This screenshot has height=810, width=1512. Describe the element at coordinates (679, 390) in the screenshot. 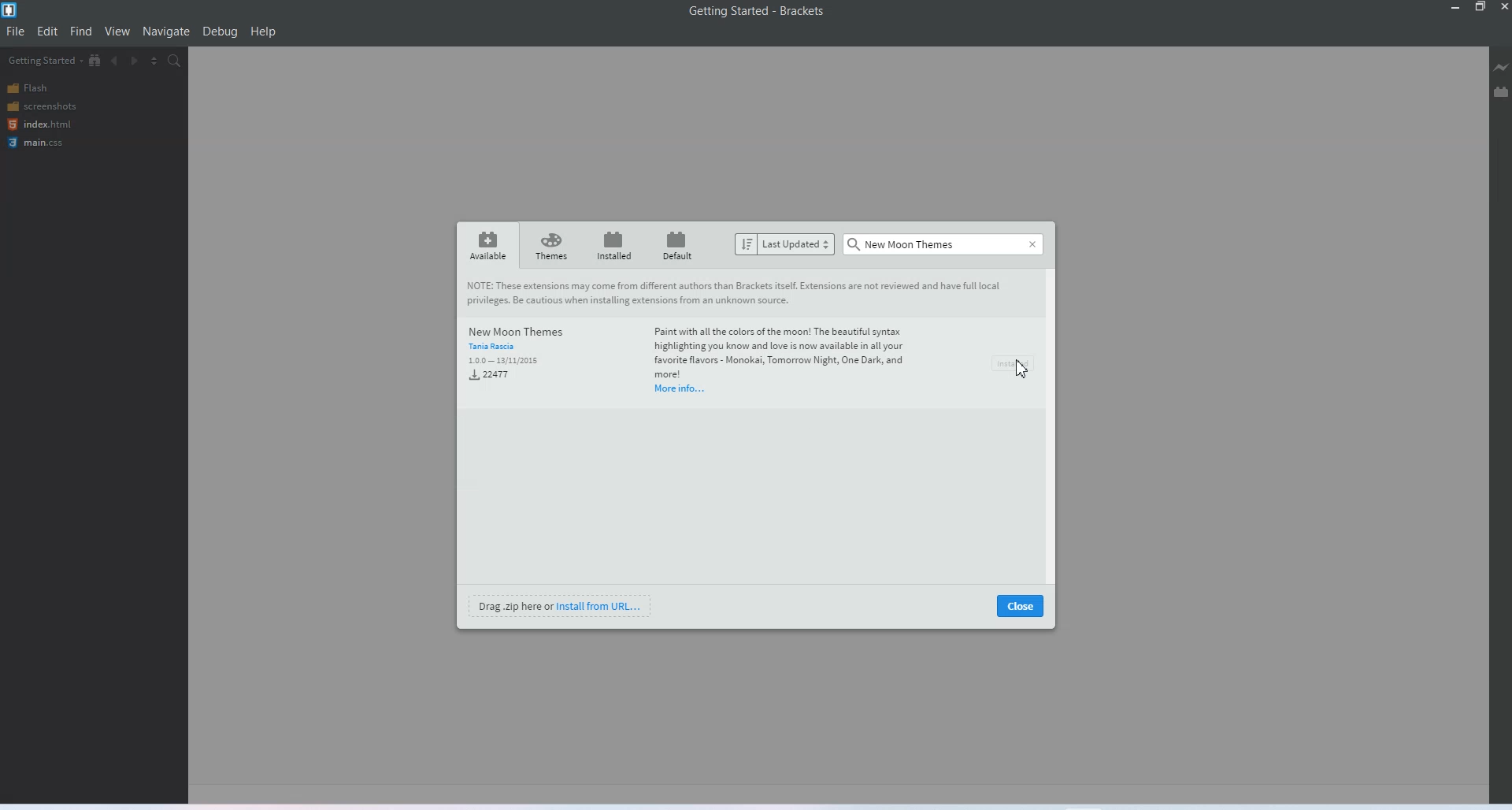

I see `More info...` at that location.